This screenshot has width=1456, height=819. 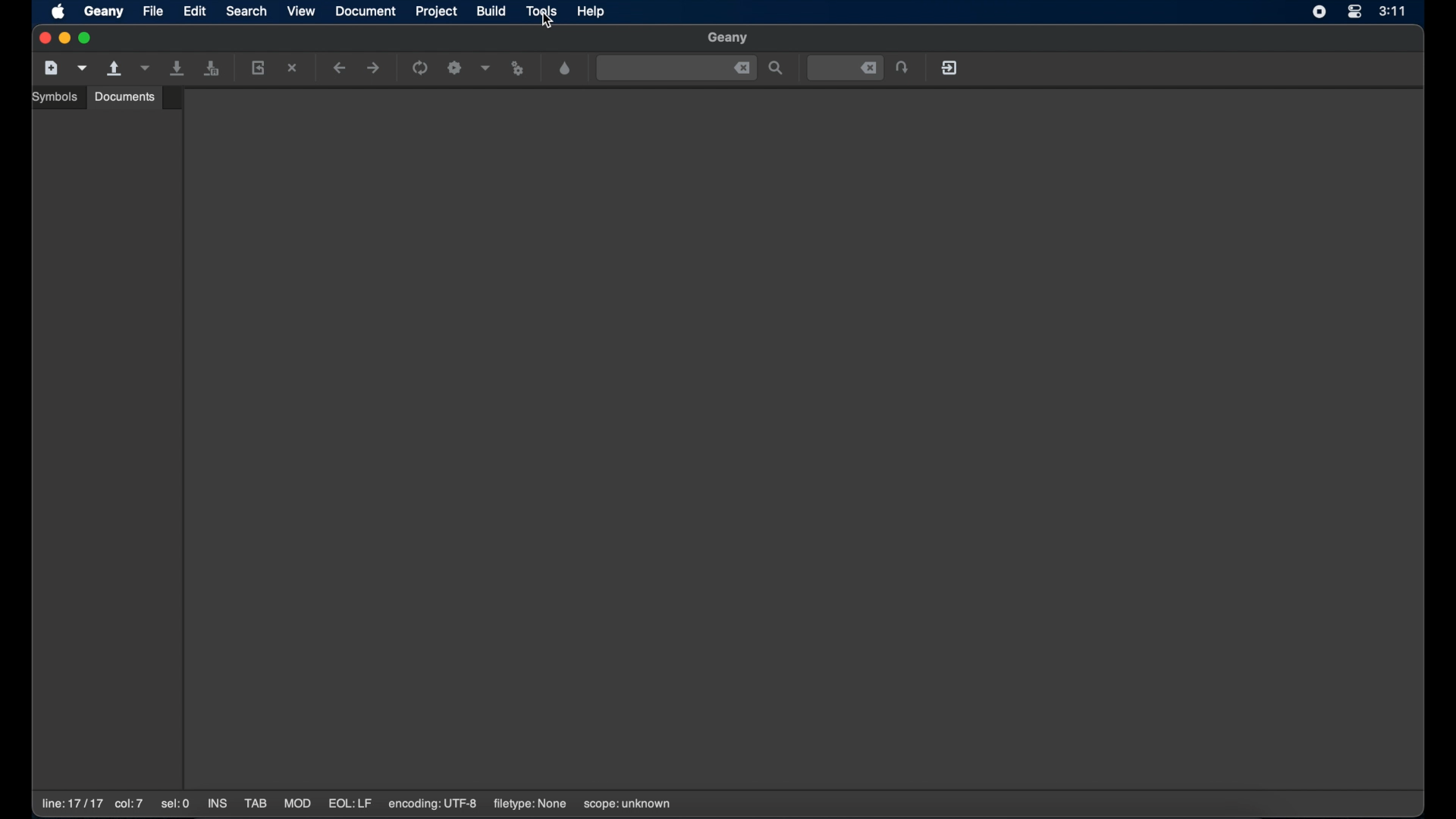 I want to click on project, so click(x=438, y=11).